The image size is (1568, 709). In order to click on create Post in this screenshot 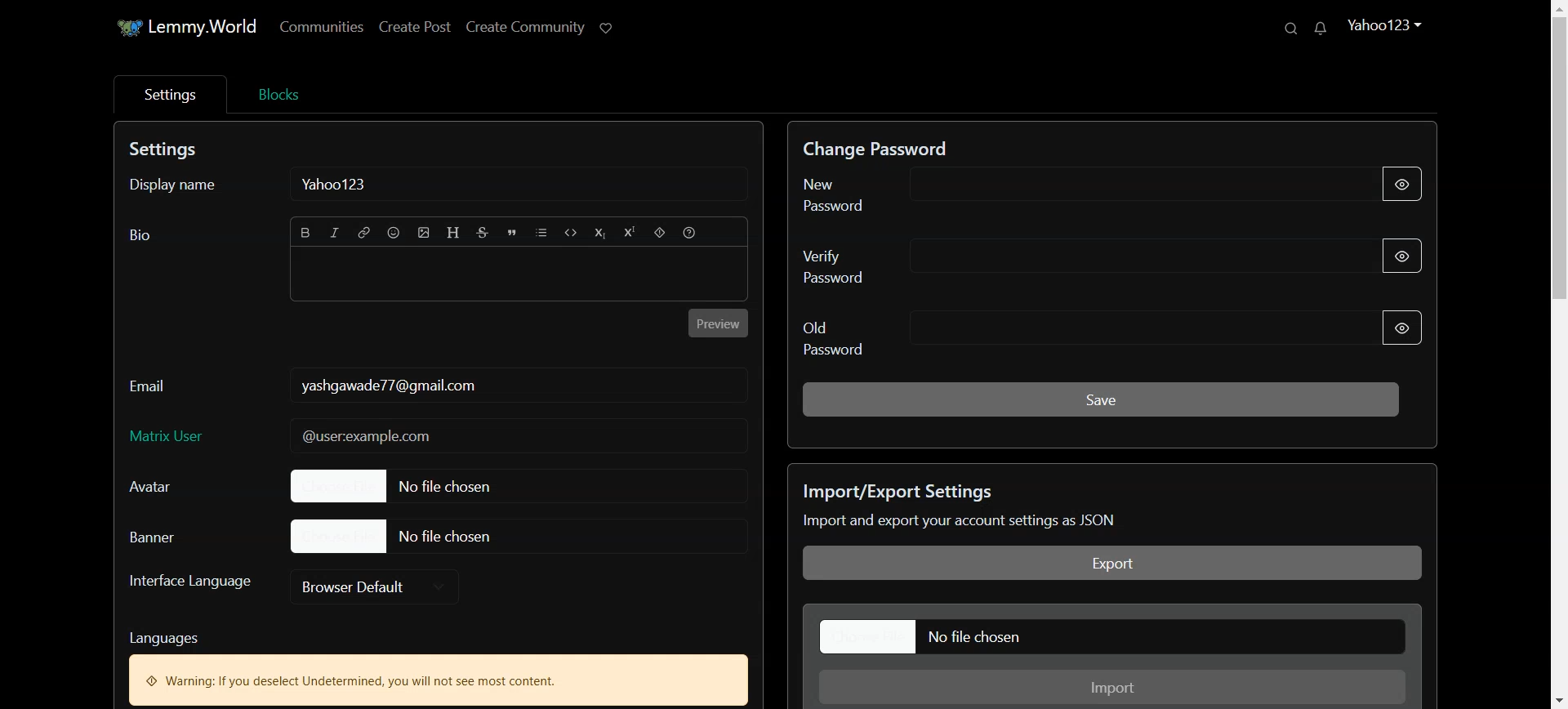, I will do `click(414, 25)`.